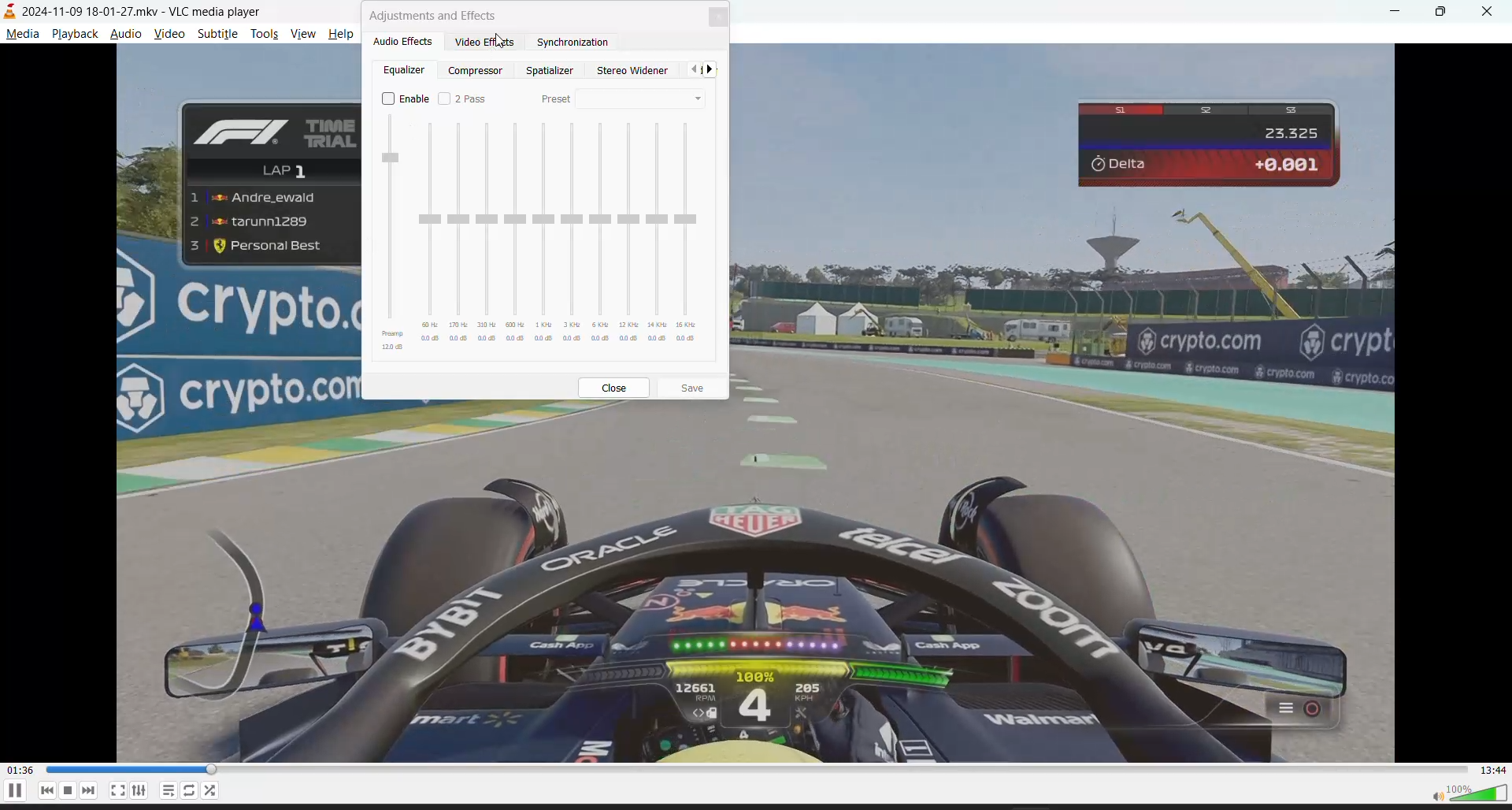  Describe the element at coordinates (302, 35) in the screenshot. I see `view` at that location.